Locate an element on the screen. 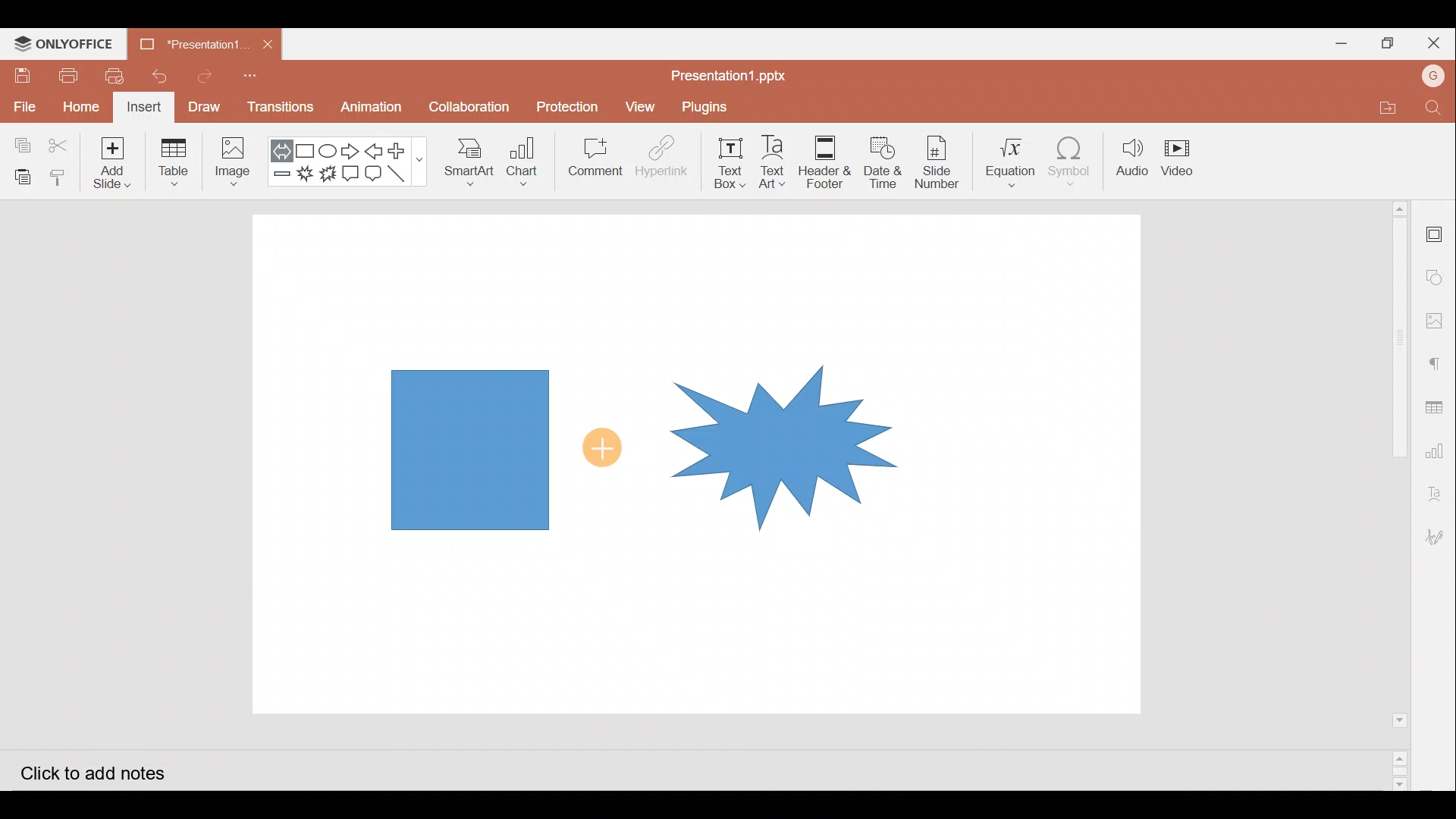 This screenshot has width=1456, height=819. Image is located at coordinates (233, 160).